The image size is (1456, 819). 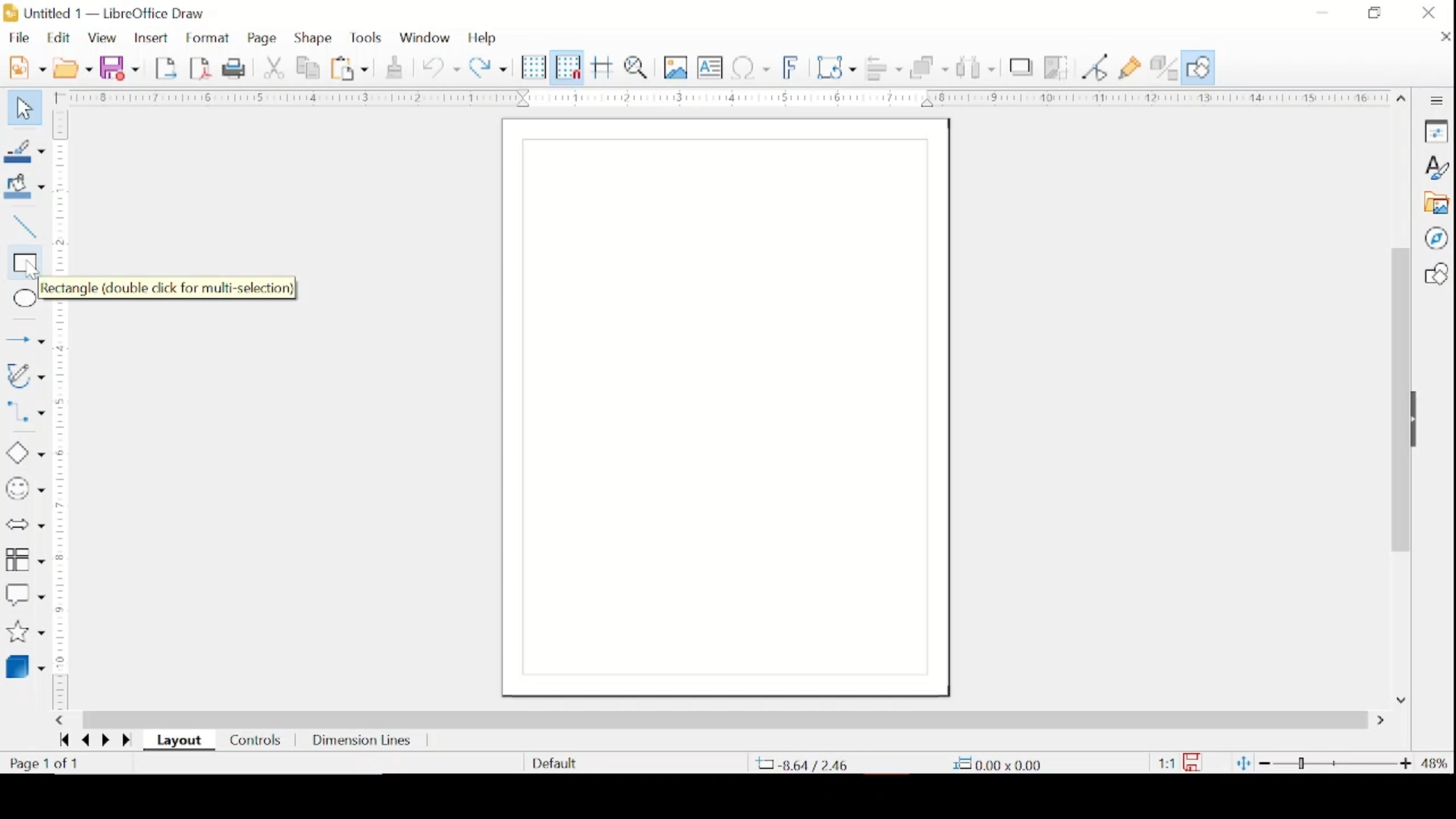 I want to click on last, so click(x=64, y=739).